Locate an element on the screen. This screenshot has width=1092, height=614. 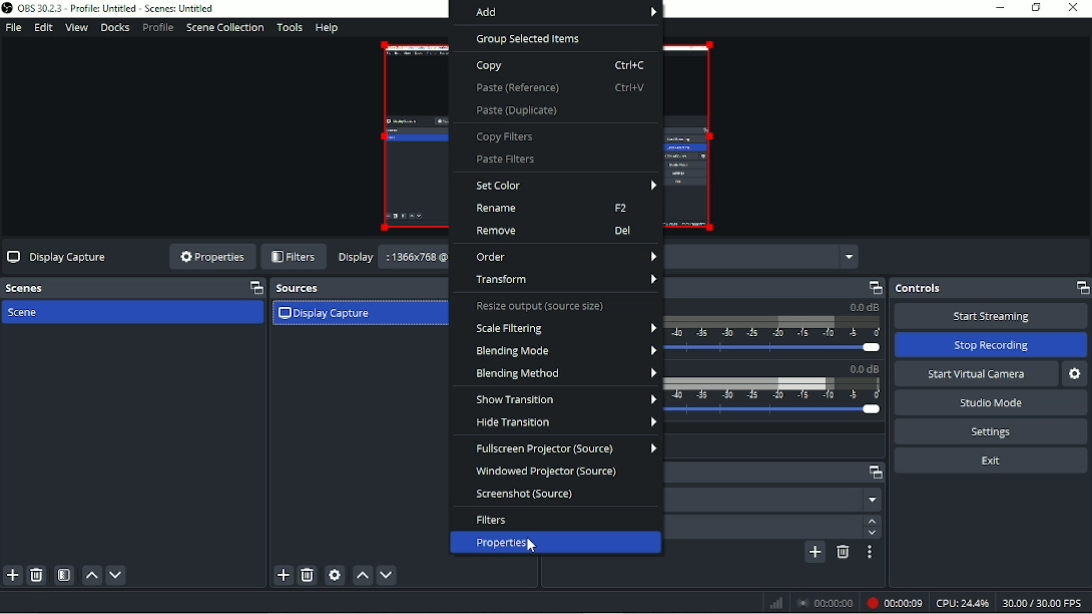
Properties is located at coordinates (211, 256).